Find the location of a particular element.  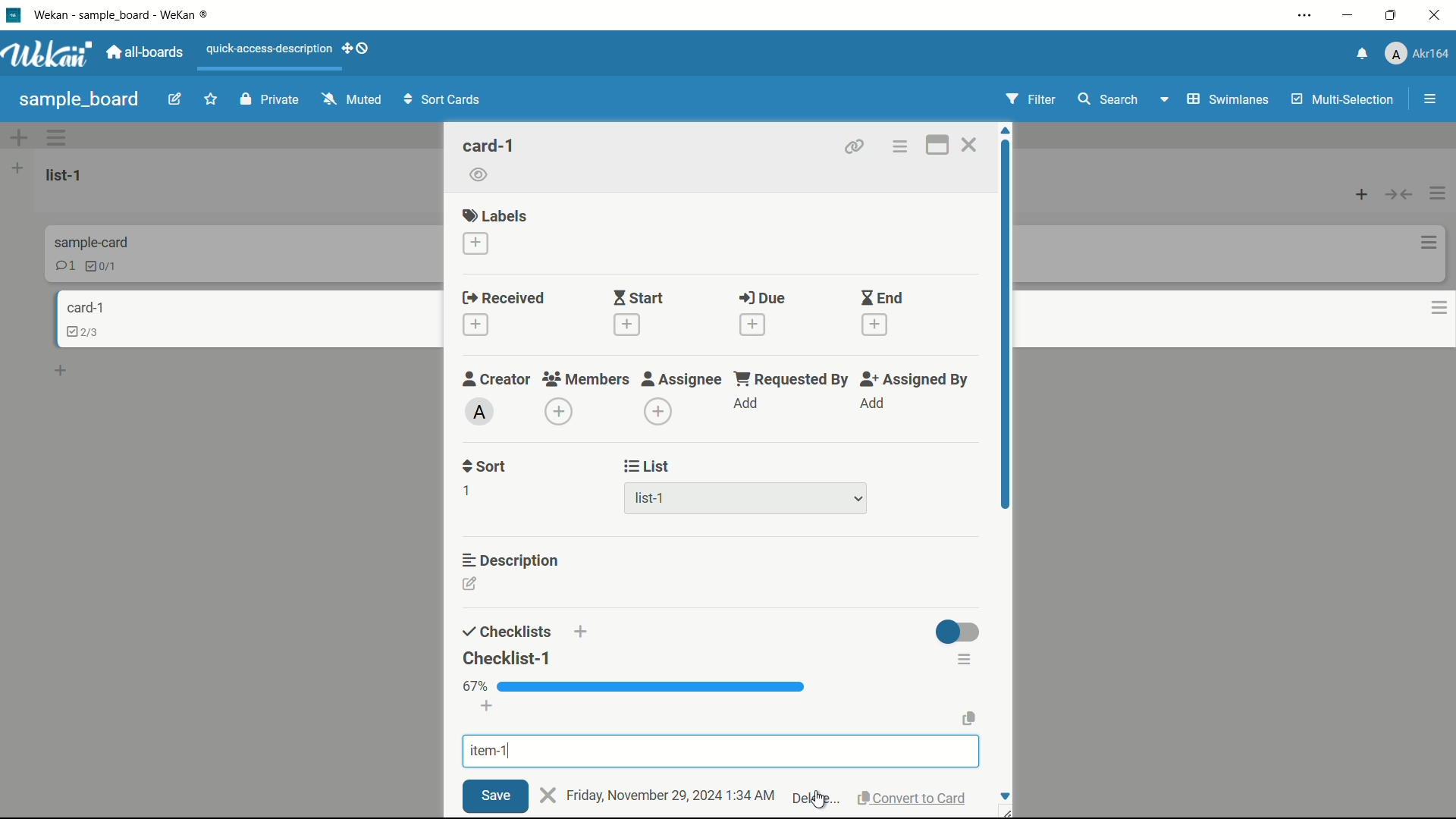

open or close sidebar is located at coordinates (1426, 99).